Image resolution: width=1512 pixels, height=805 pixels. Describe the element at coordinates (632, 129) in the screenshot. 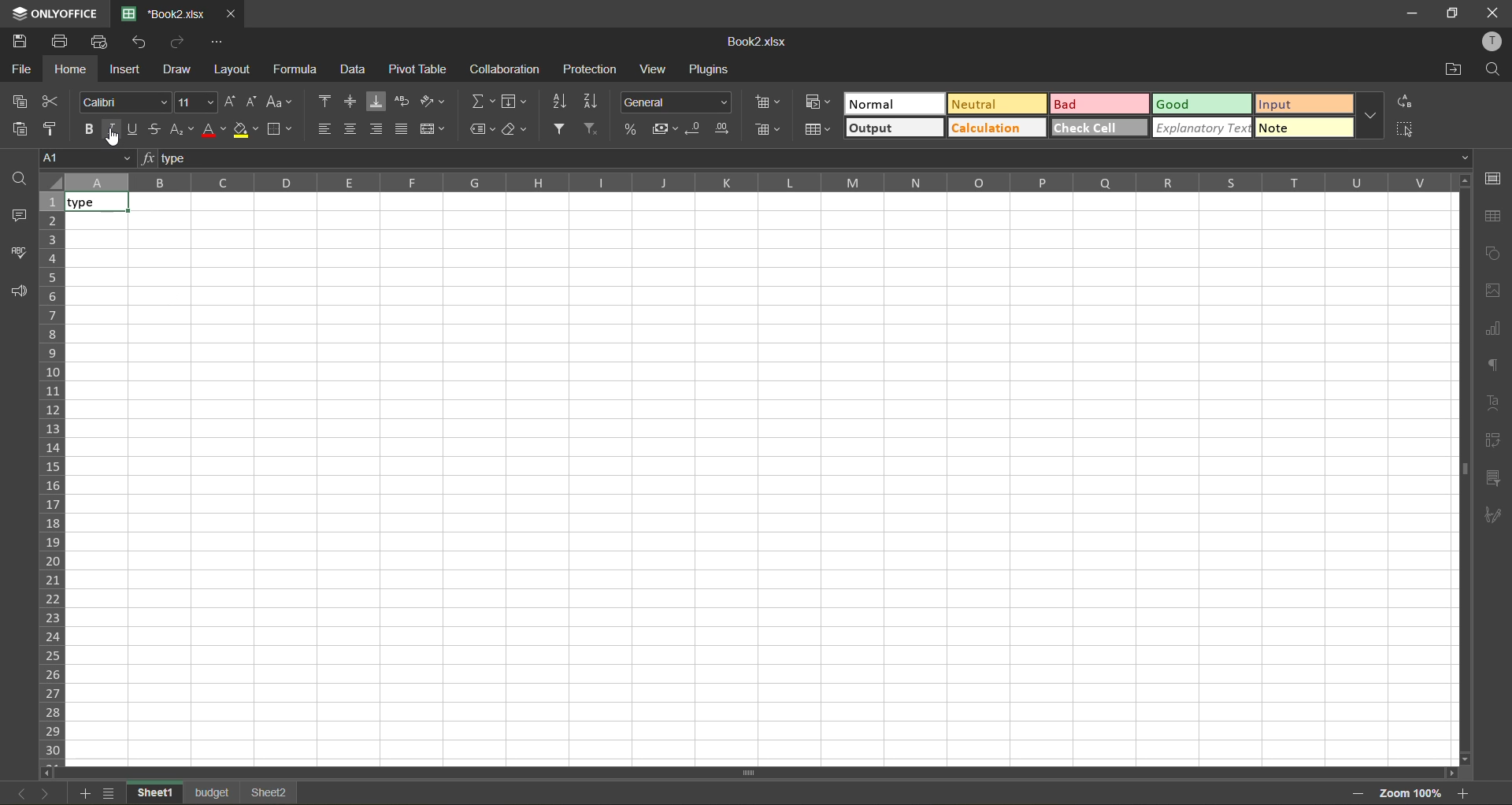

I see `percent` at that location.